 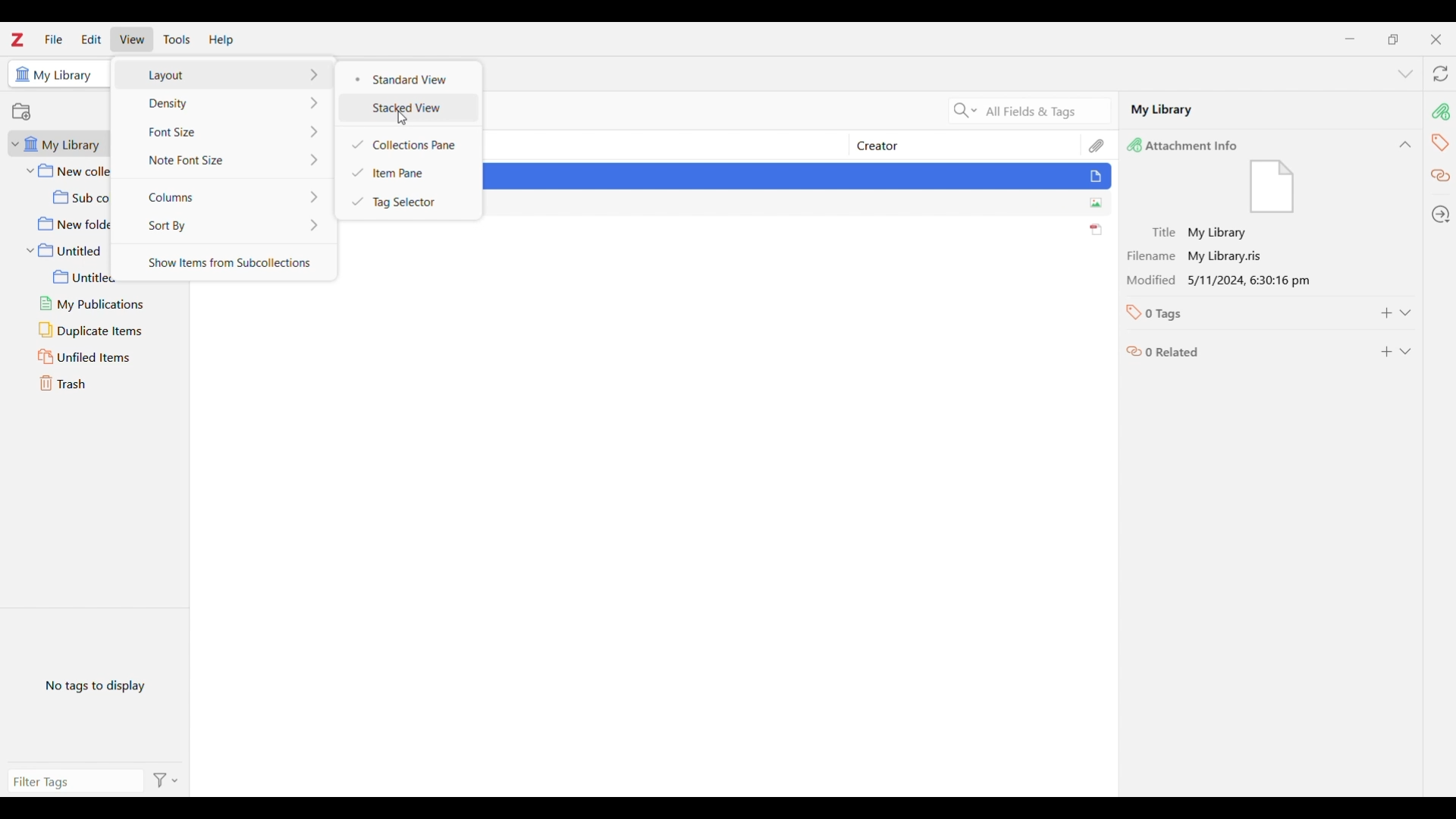 I want to click on Add to related, so click(x=1386, y=351).